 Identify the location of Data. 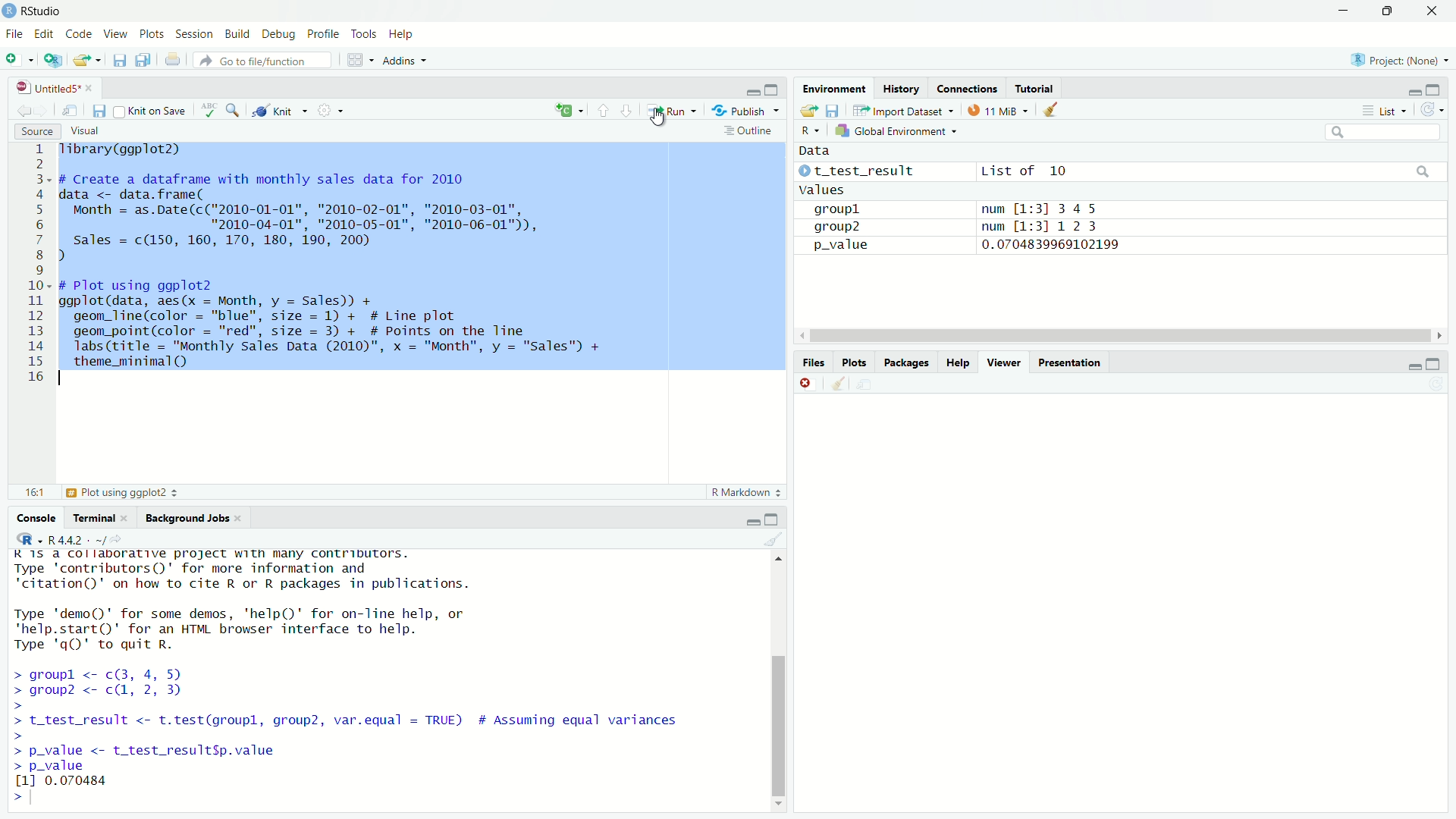
(819, 151).